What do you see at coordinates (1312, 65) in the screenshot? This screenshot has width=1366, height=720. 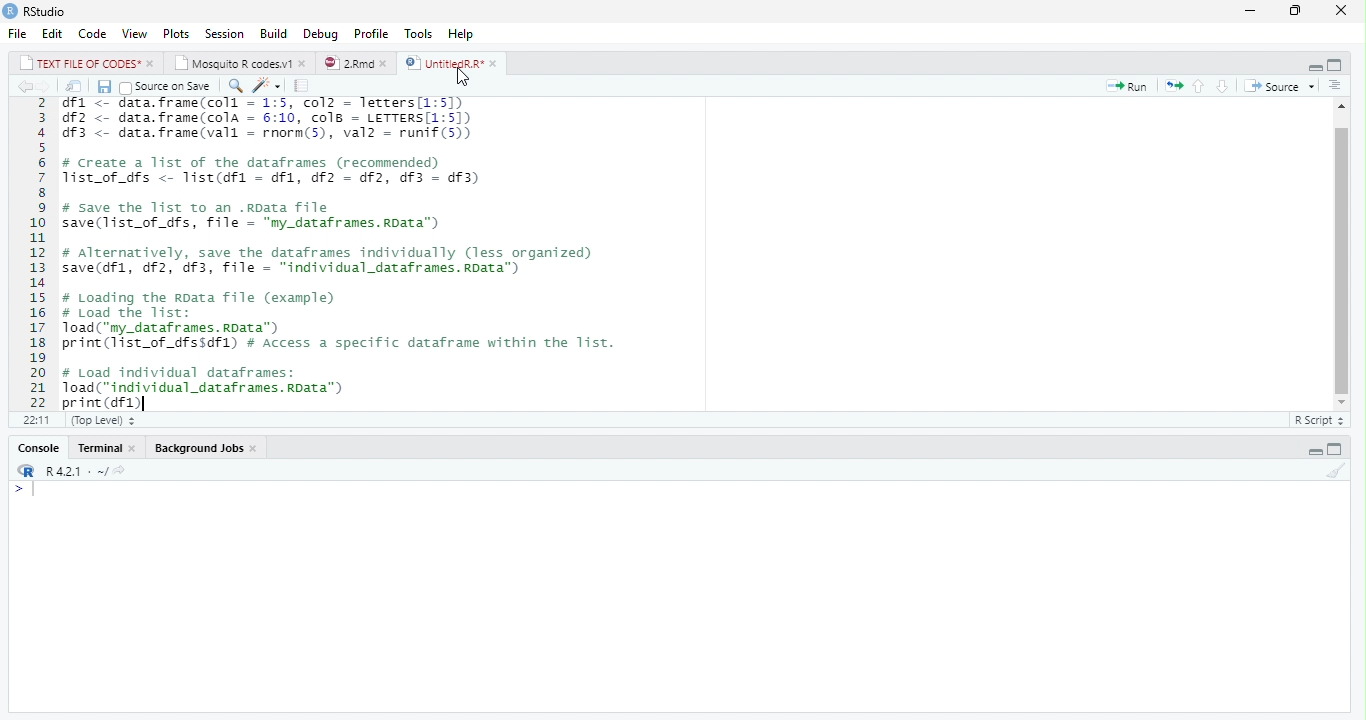 I see `Hide` at bounding box center [1312, 65].